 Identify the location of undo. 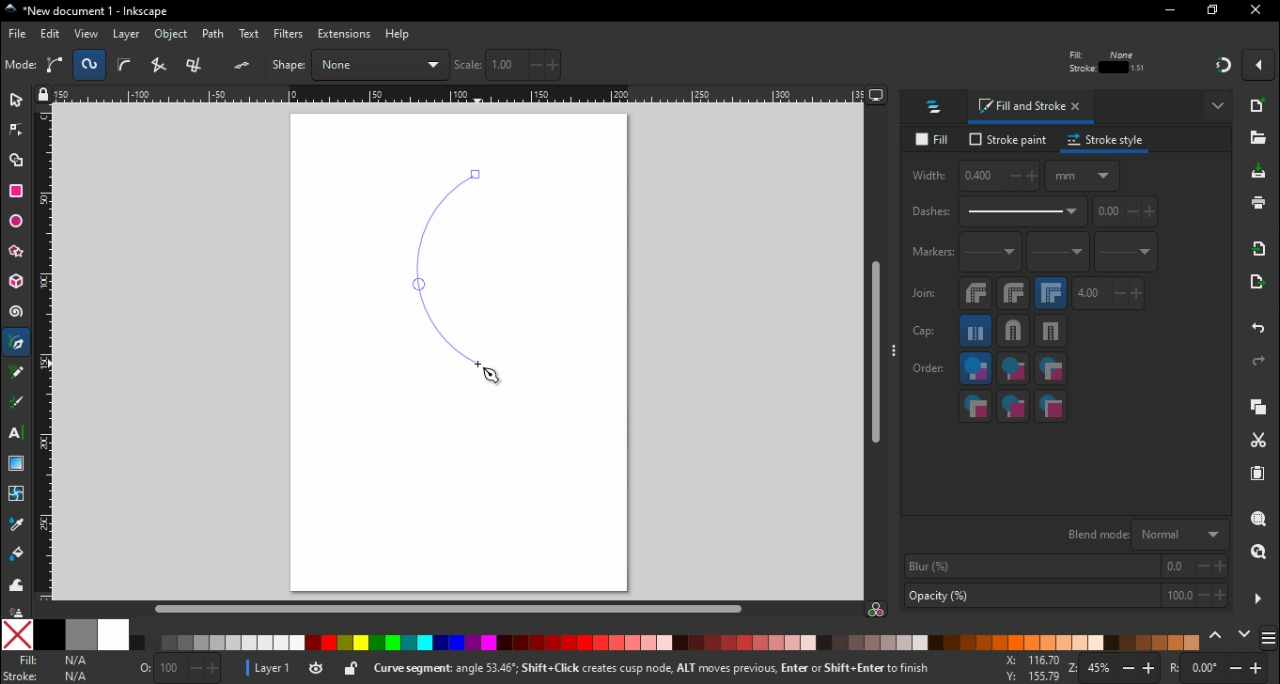
(1256, 332).